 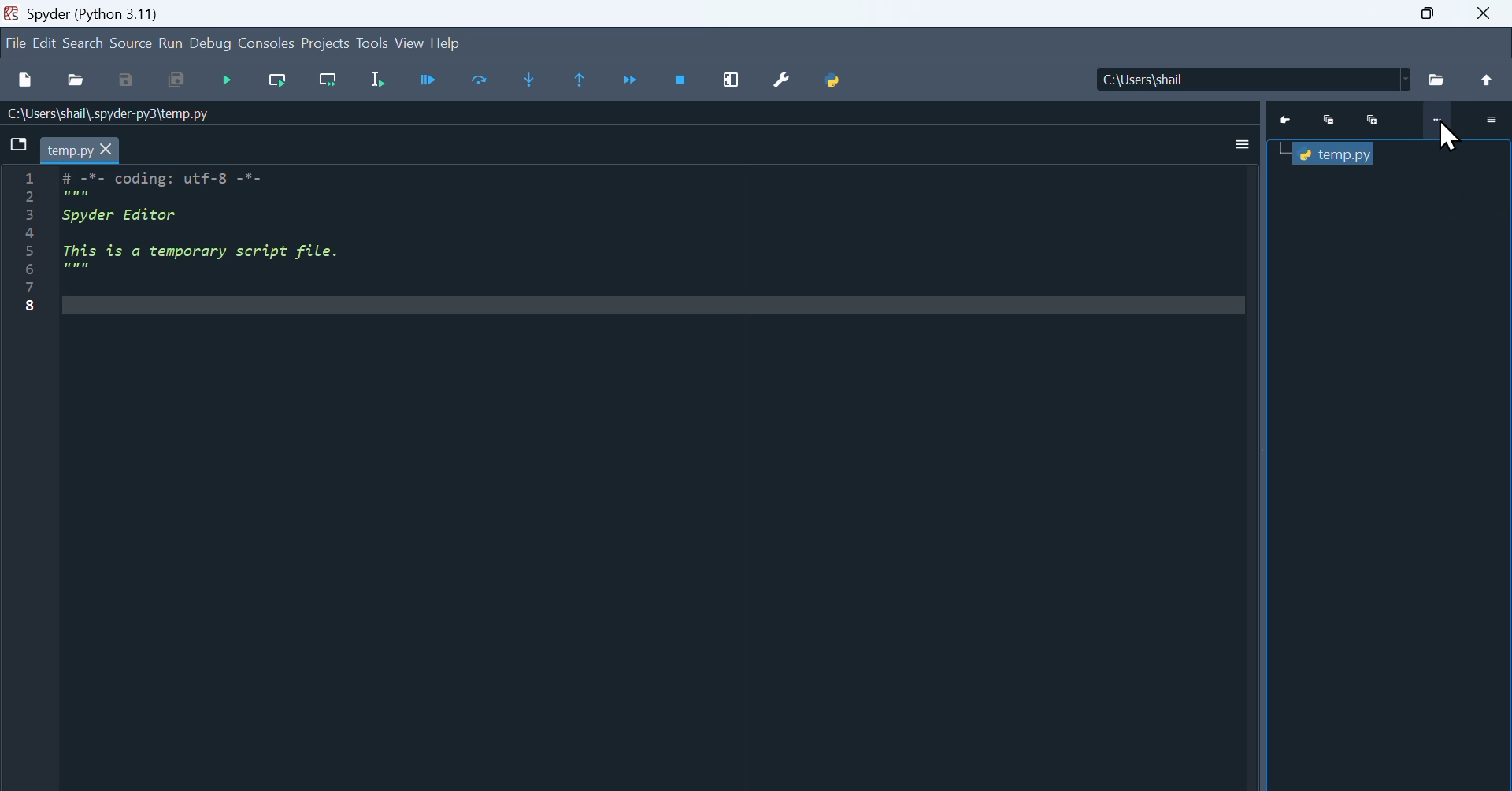 I want to click on Execute until function or method return, so click(x=581, y=81).